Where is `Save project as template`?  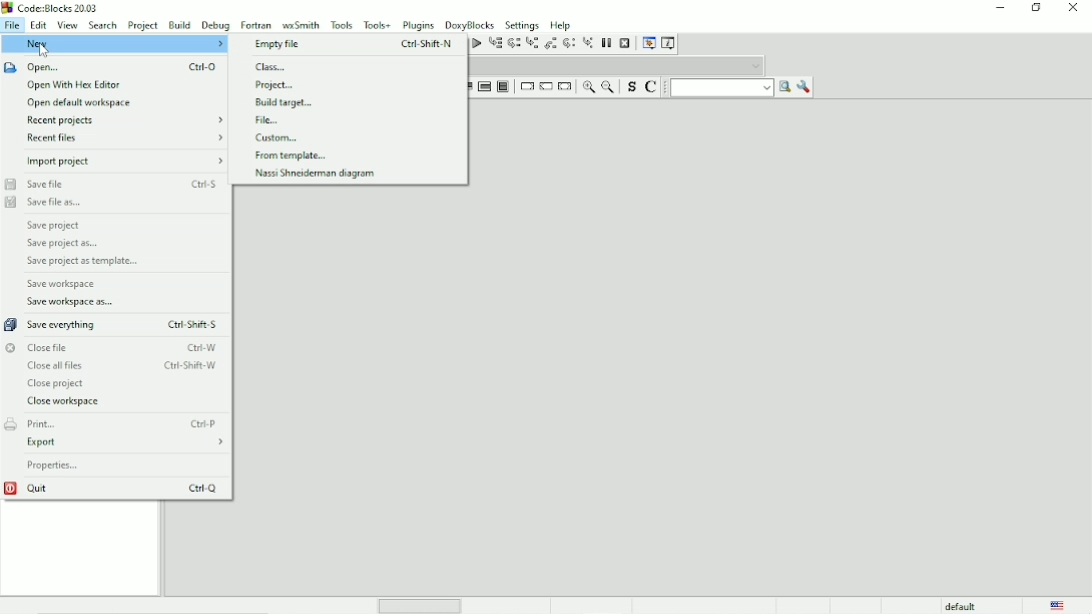 Save project as template is located at coordinates (81, 262).